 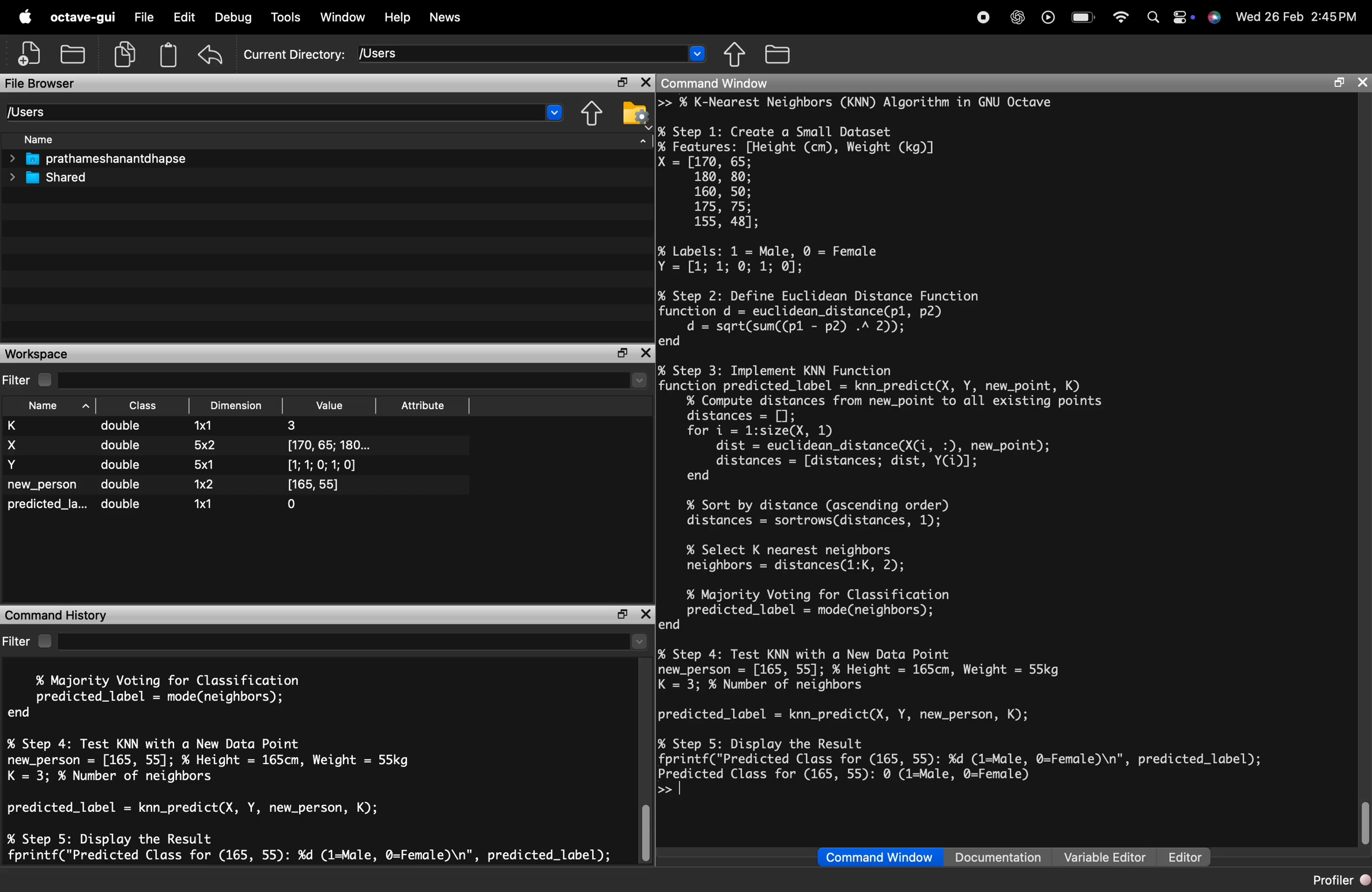 I want to click on add, so click(x=24, y=55).